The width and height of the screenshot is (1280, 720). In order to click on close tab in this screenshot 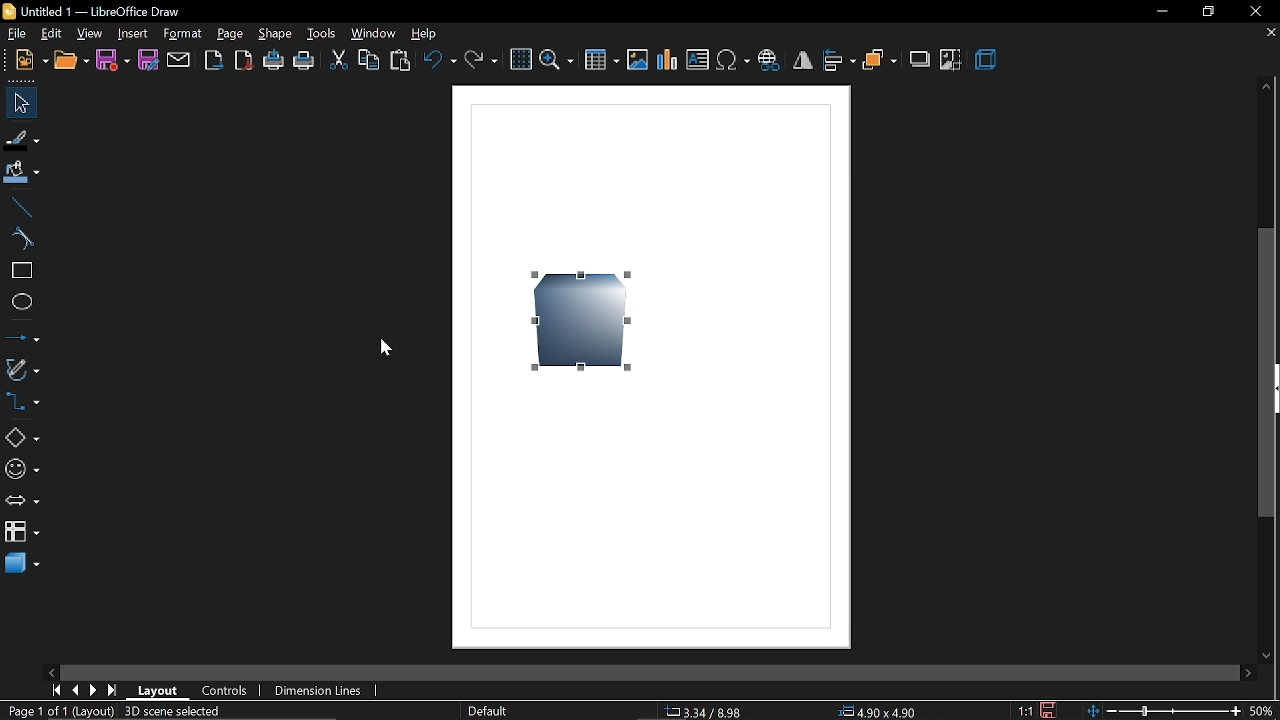, I will do `click(1270, 35)`.